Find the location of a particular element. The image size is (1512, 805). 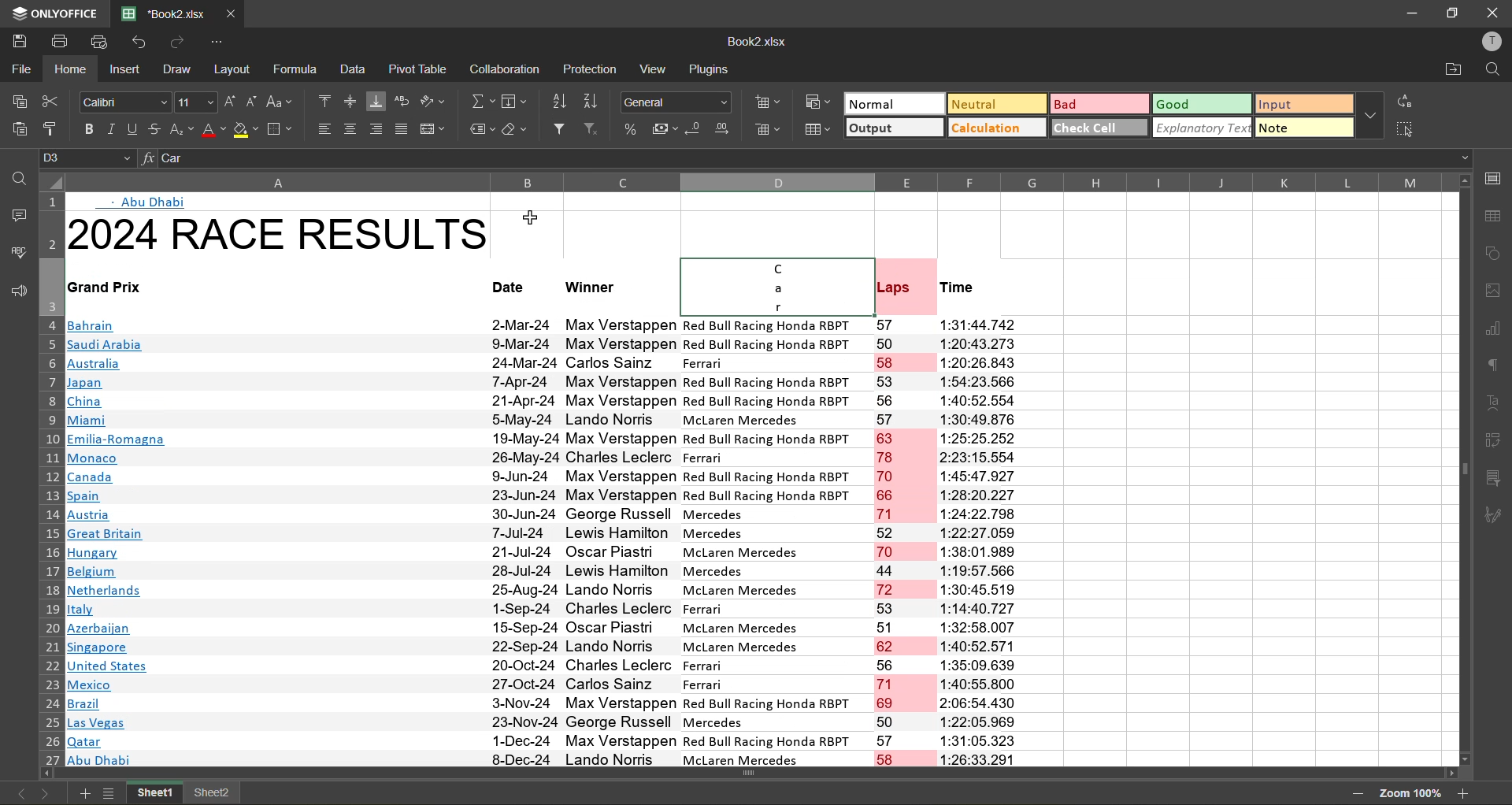

sort ascending is located at coordinates (561, 103).